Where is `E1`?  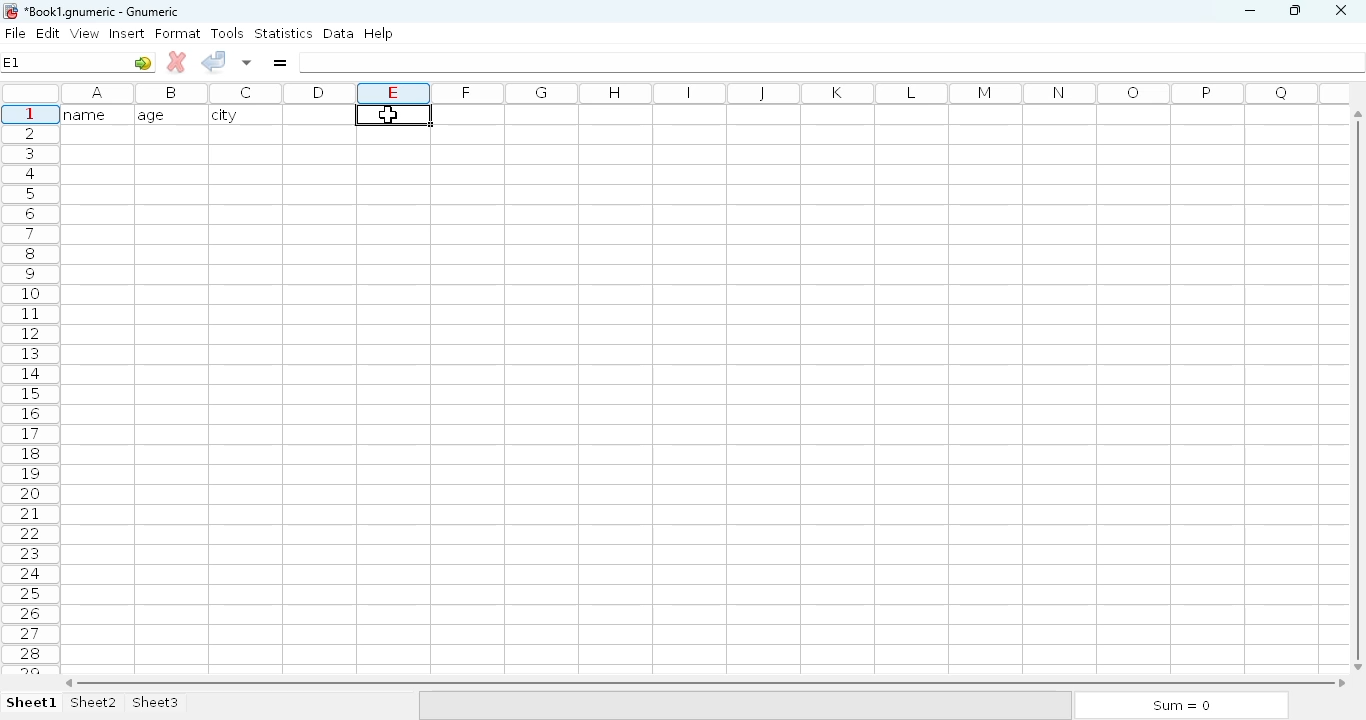
E1 is located at coordinates (11, 62).